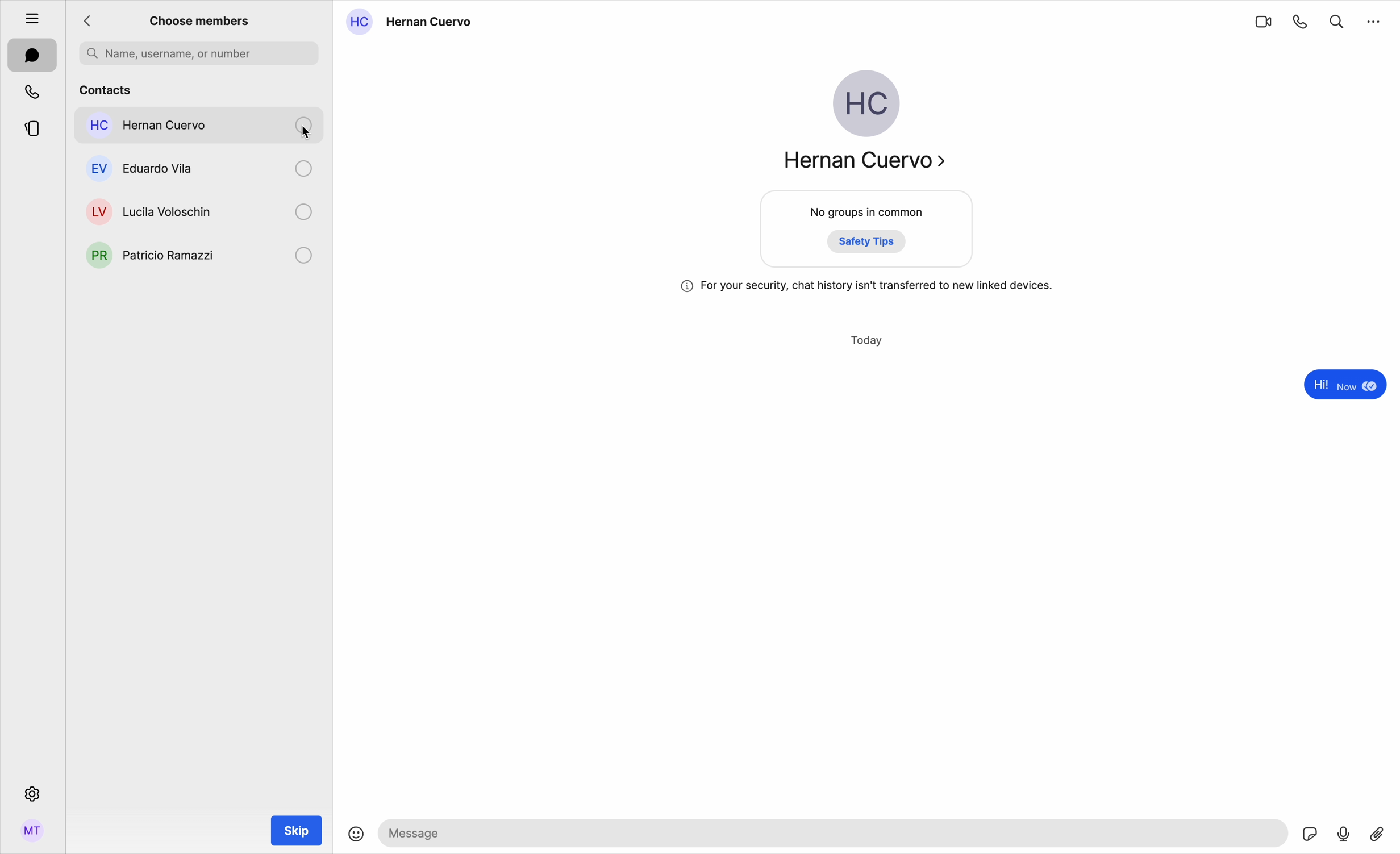  Describe the element at coordinates (34, 91) in the screenshot. I see `calls` at that location.